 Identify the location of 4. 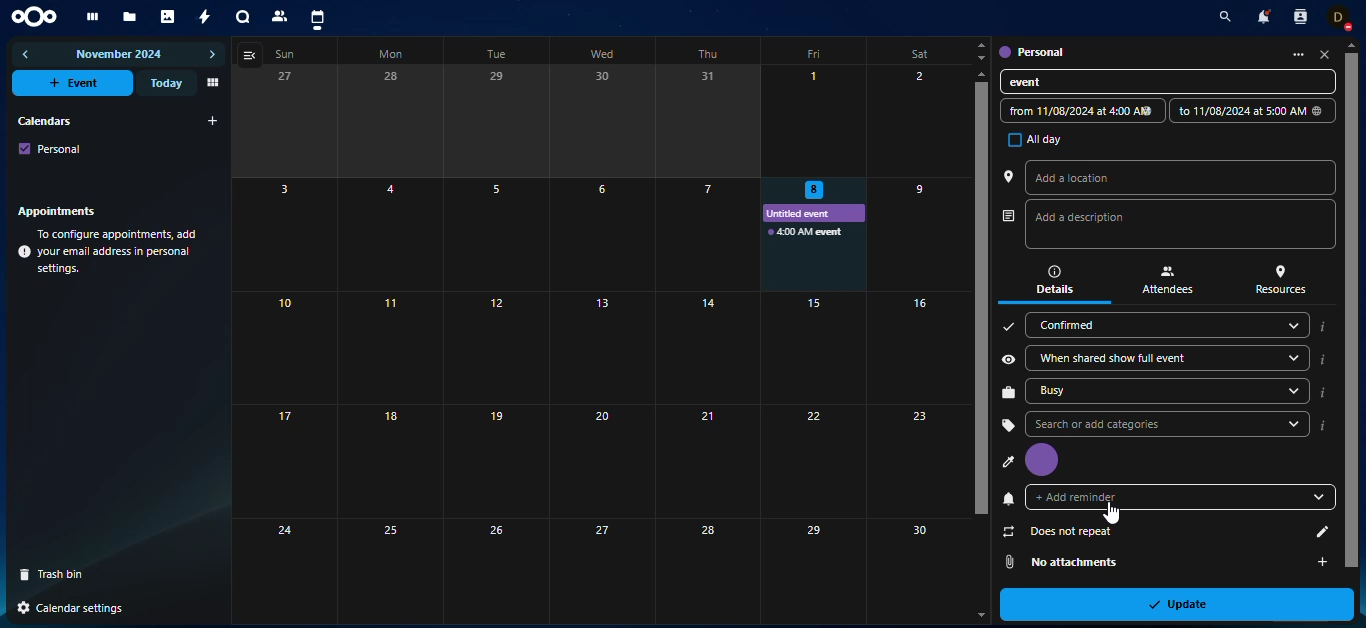
(391, 235).